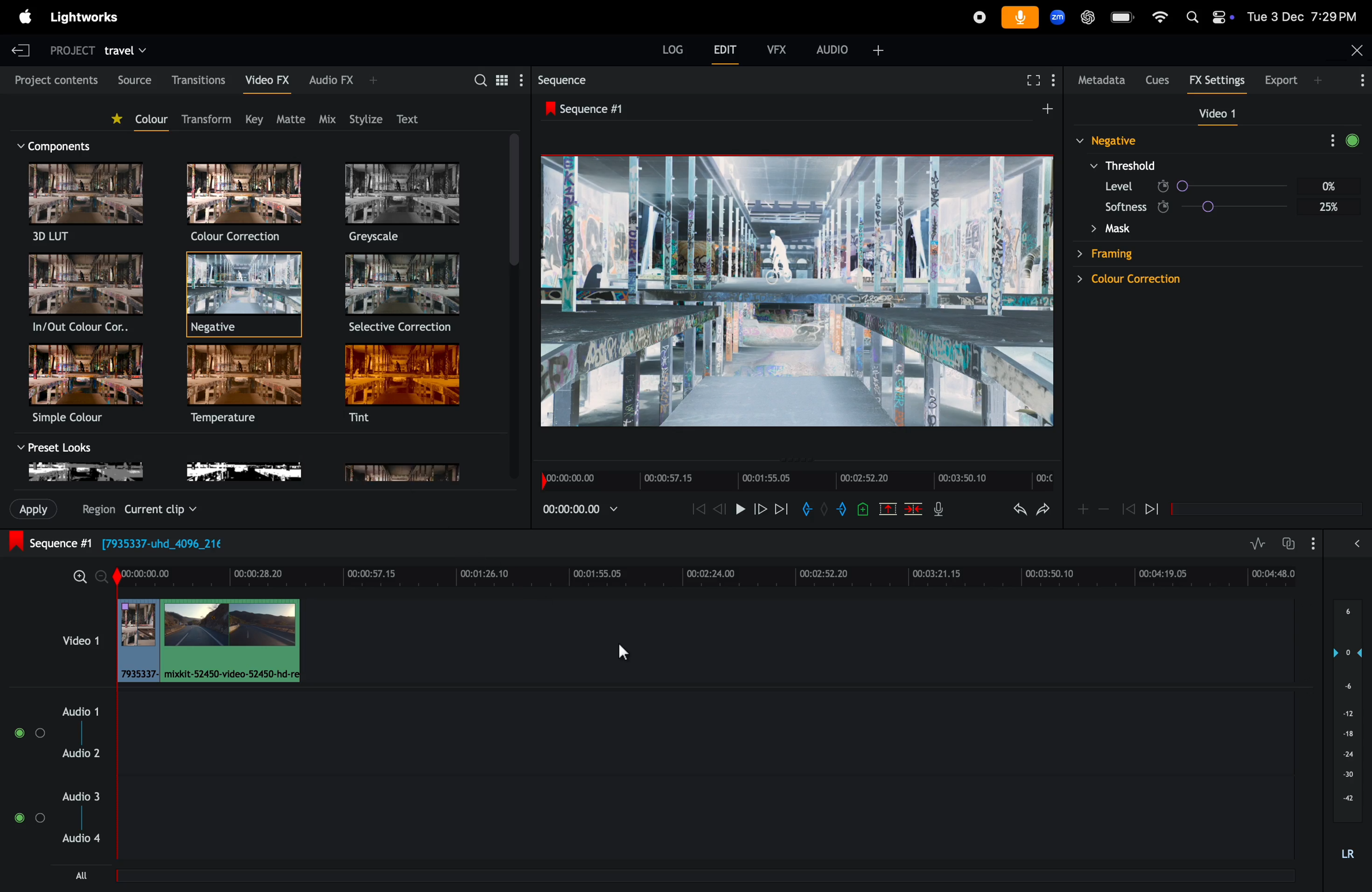 This screenshot has height=892, width=1372. Describe the element at coordinates (1103, 80) in the screenshot. I see `metadata` at that location.